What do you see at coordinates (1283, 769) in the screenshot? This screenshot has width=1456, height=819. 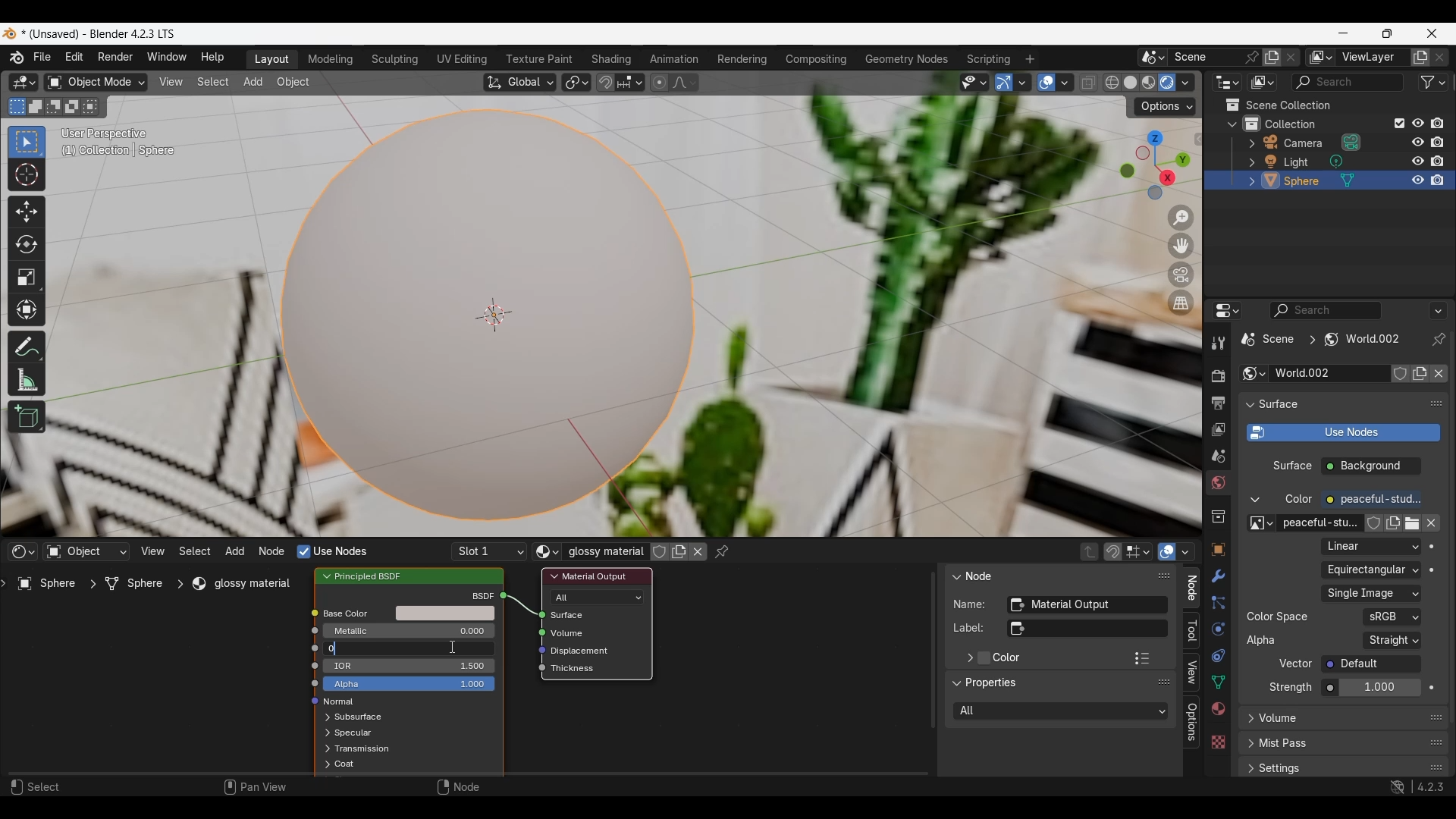 I see `settings` at bounding box center [1283, 769].